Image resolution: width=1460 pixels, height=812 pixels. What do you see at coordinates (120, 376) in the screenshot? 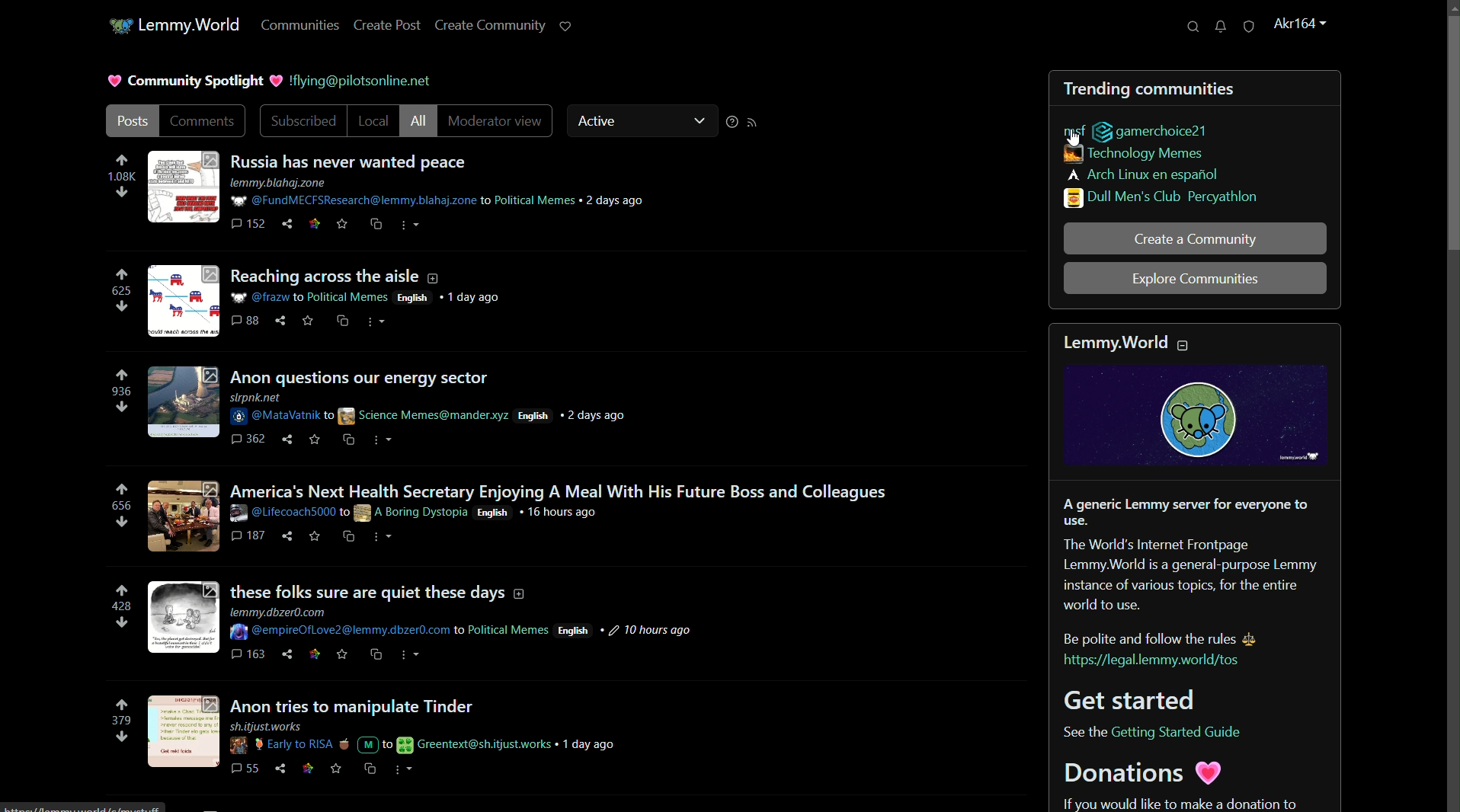
I see `upvote` at bounding box center [120, 376].